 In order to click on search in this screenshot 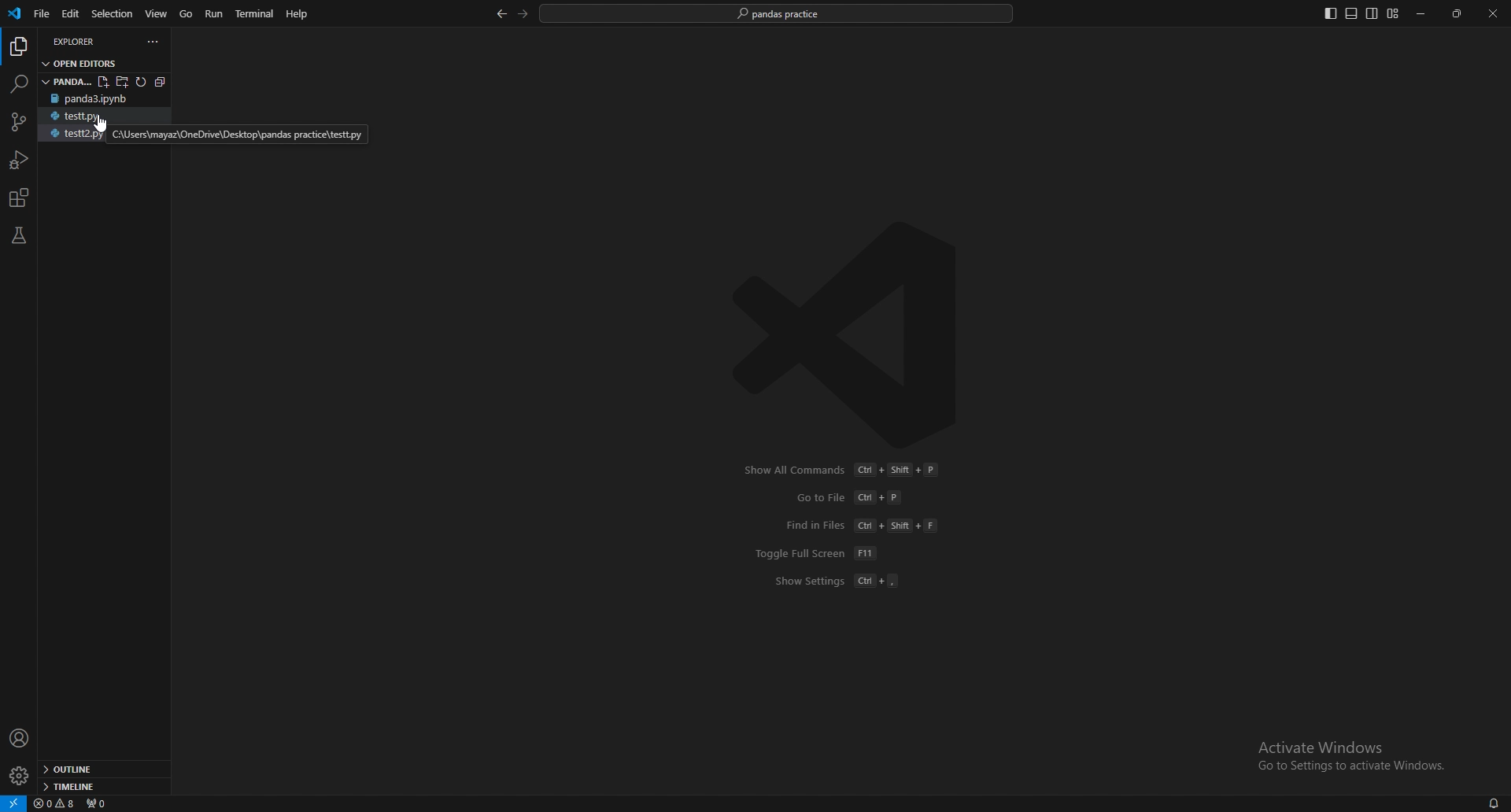, I will do `click(17, 84)`.